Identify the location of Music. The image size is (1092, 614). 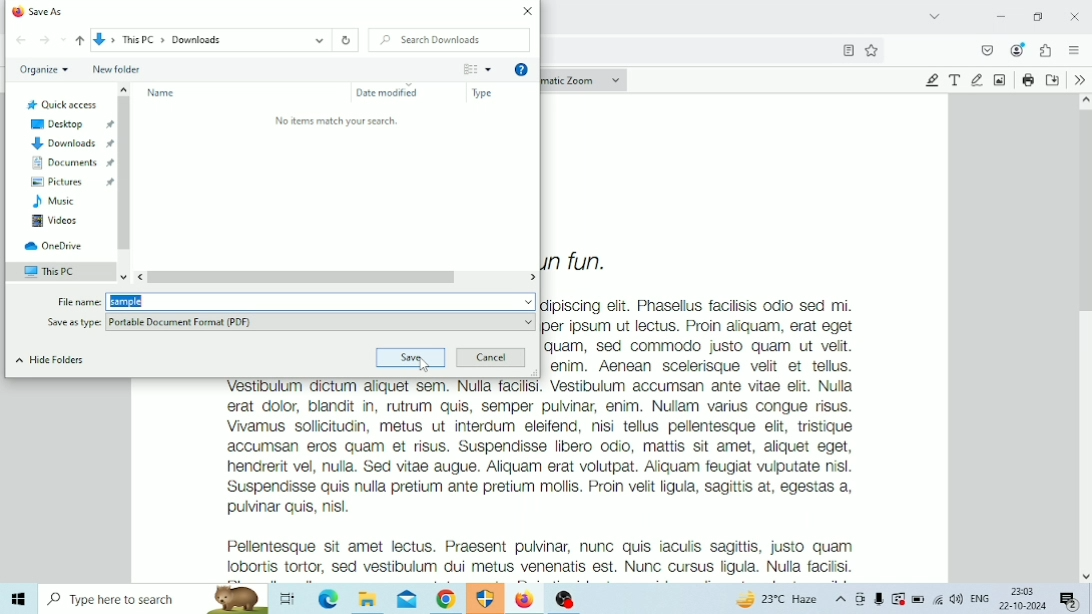
(50, 201).